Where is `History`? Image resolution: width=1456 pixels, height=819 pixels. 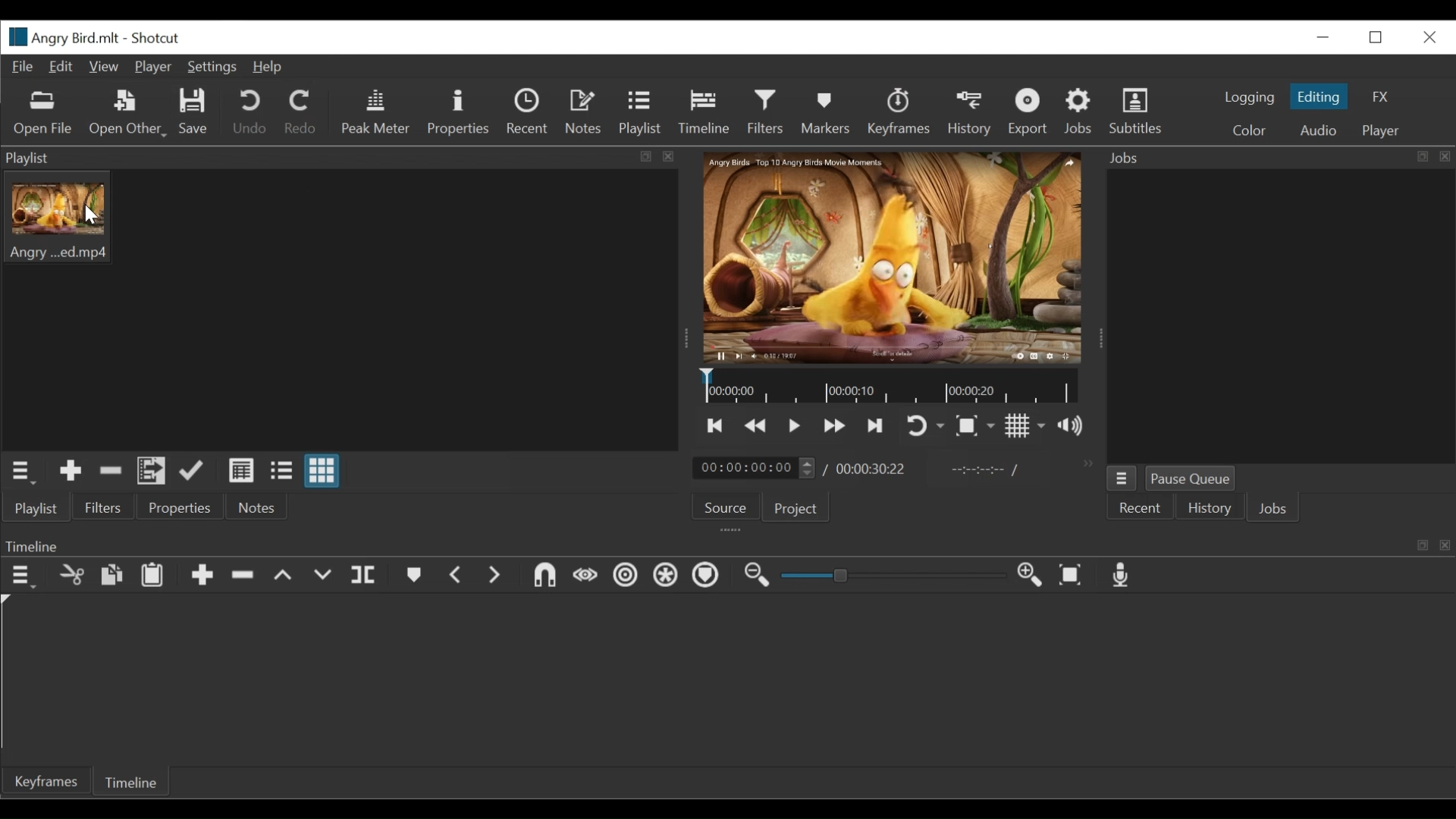
History is located at coordinates (1207, 508).